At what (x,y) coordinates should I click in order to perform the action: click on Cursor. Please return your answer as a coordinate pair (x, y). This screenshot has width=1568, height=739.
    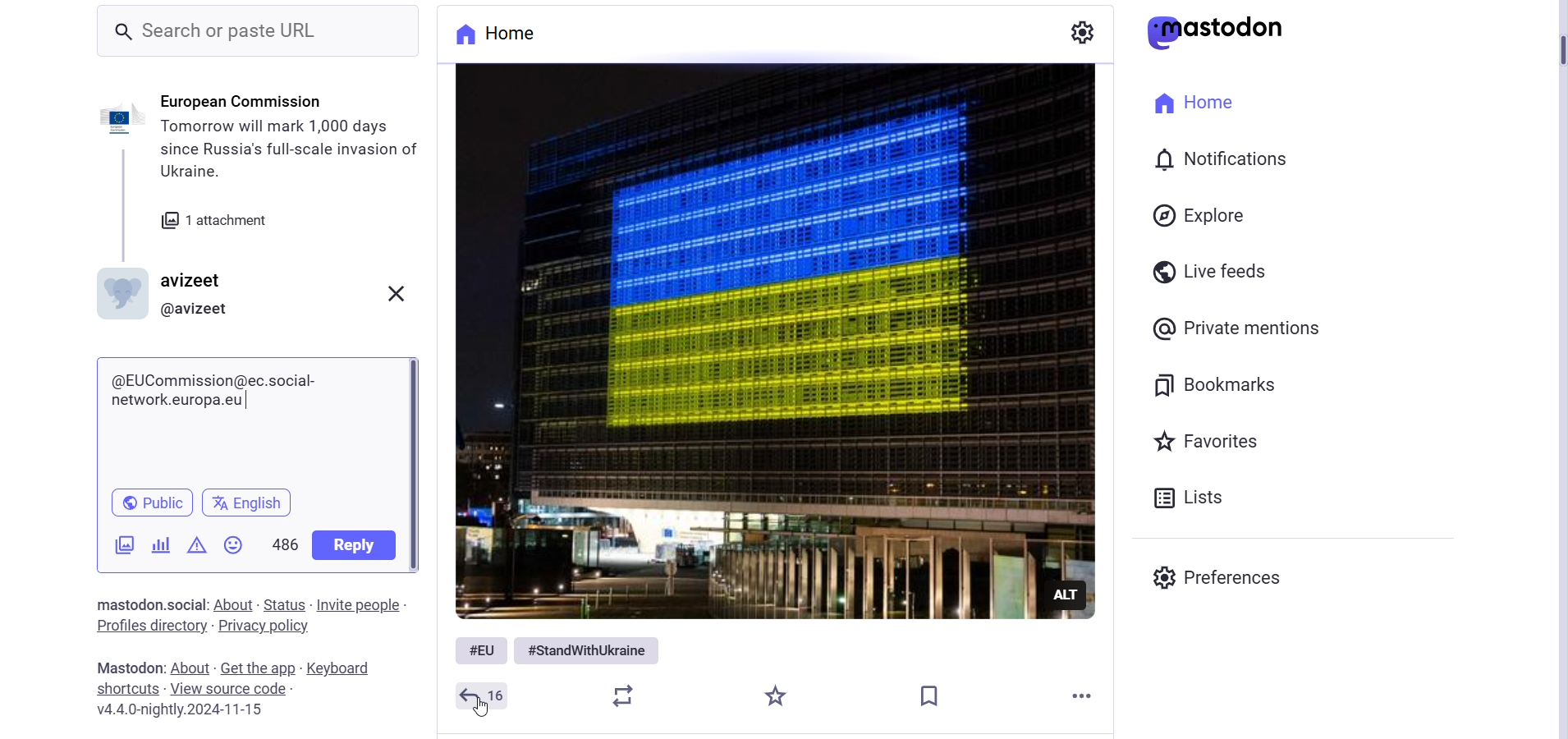
    Looking at the image, I should click on (480, 709).